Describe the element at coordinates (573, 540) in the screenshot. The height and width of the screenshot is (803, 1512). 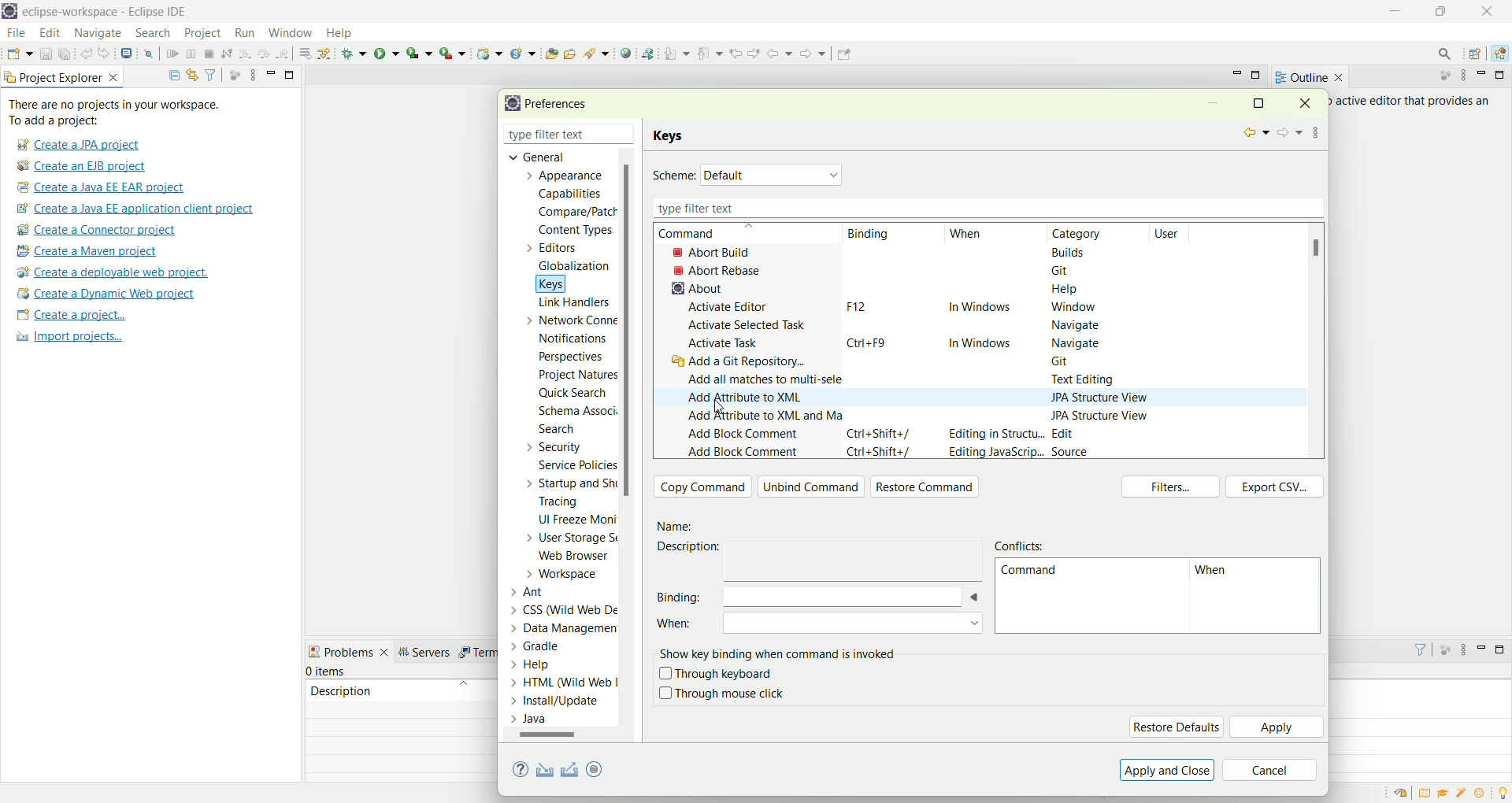
I see `user storage service` at that location.